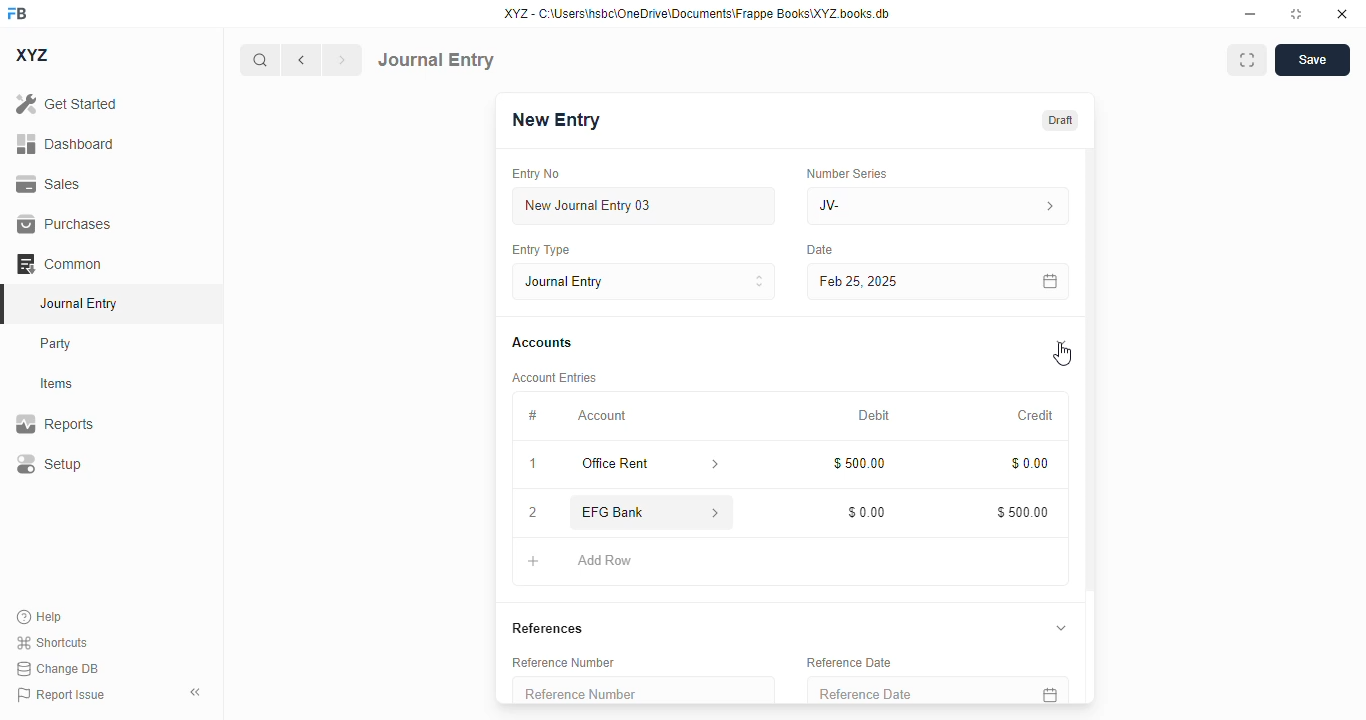  I want to click on previous, so click(301, 60).